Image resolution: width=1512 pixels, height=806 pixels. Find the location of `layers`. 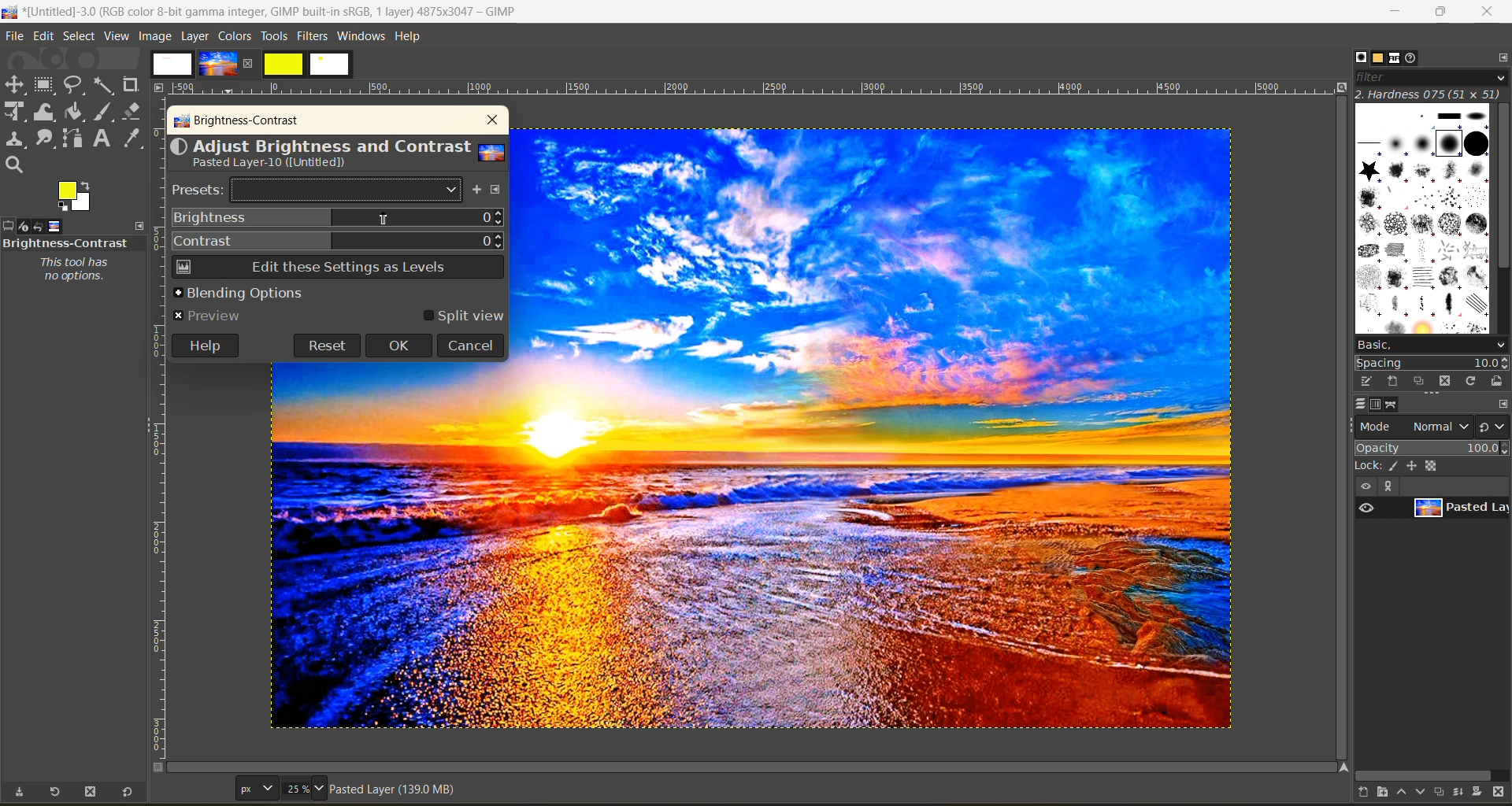

layers is located at coordinates (1360, 404).